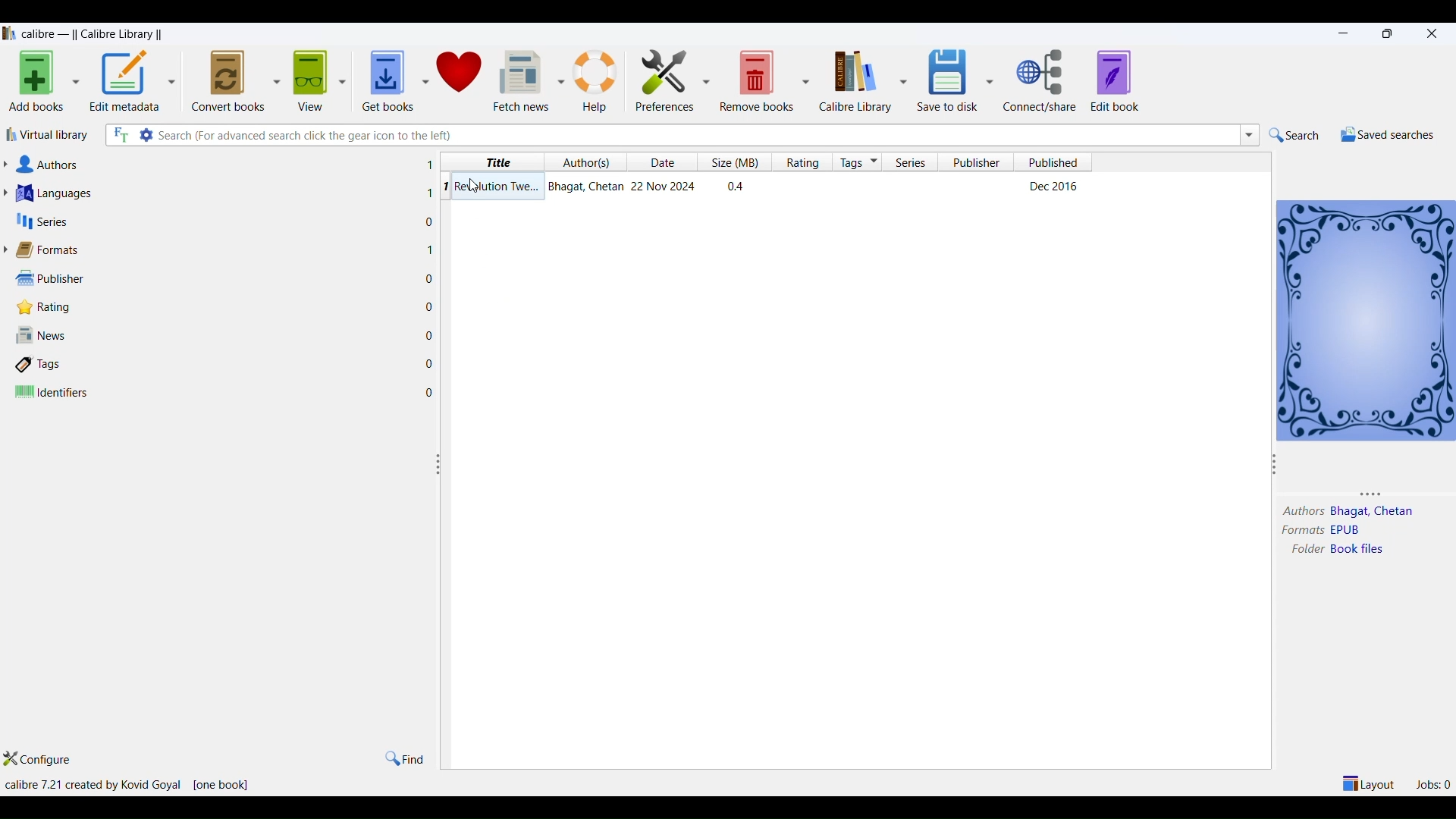 This screenshot has height=819, width=1456. Describe the element at coordinates (10, 193) in the screenshot. I see `languages list dropdown button` at that location.